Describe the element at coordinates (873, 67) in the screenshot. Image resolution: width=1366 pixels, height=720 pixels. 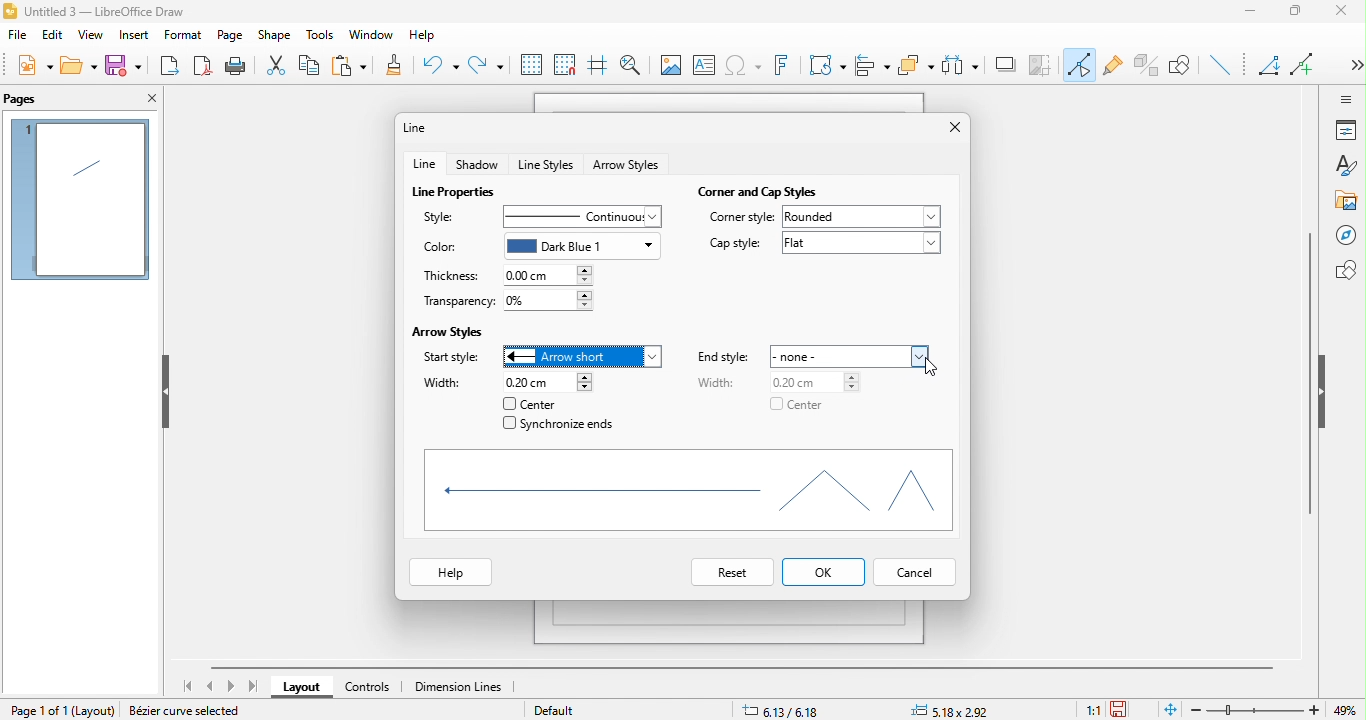
I see `align object` at that location.